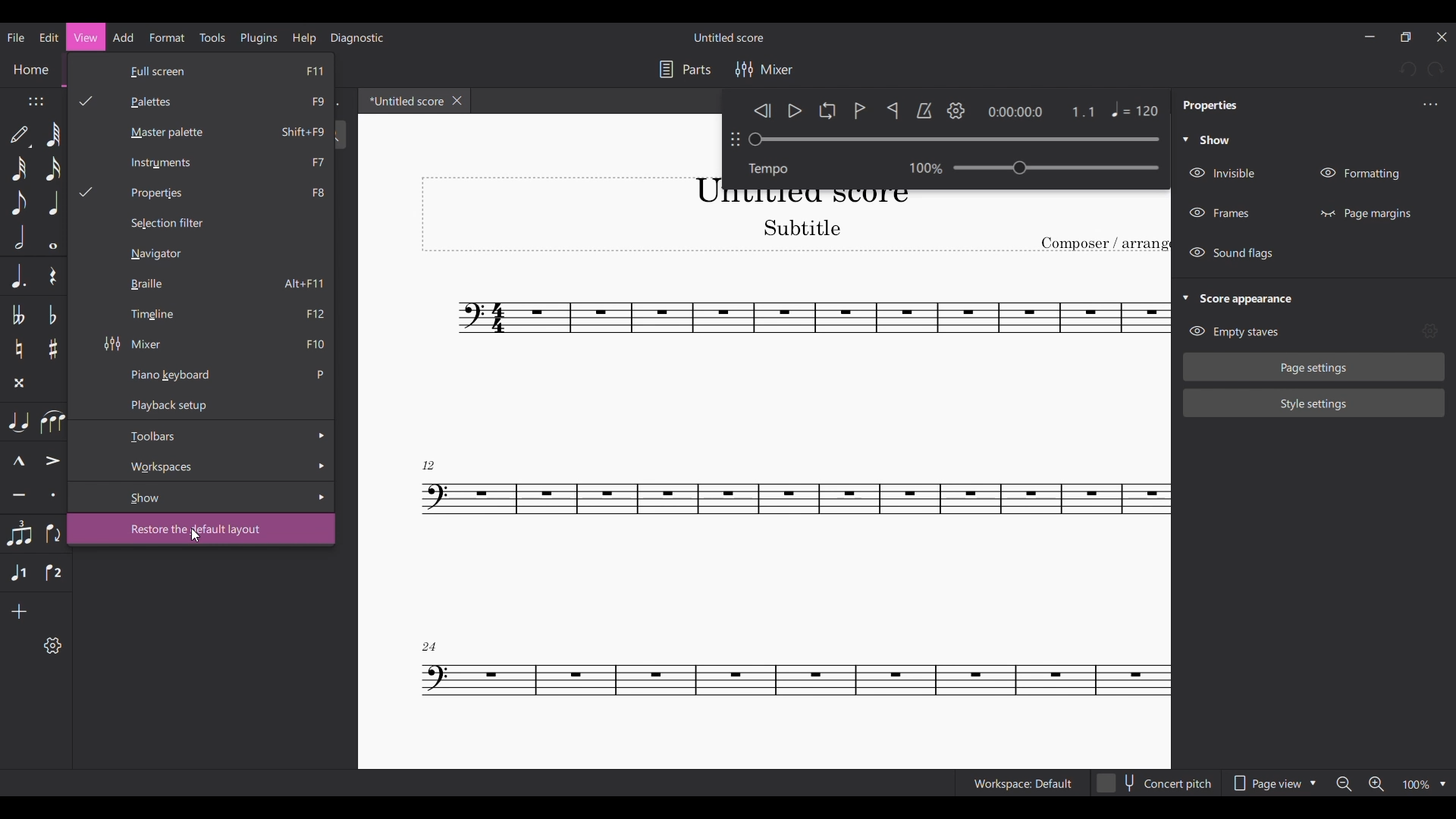  Describe the element at coordinates (1429, 330) in the screenshot. I see `Score appearance settings` at that location.